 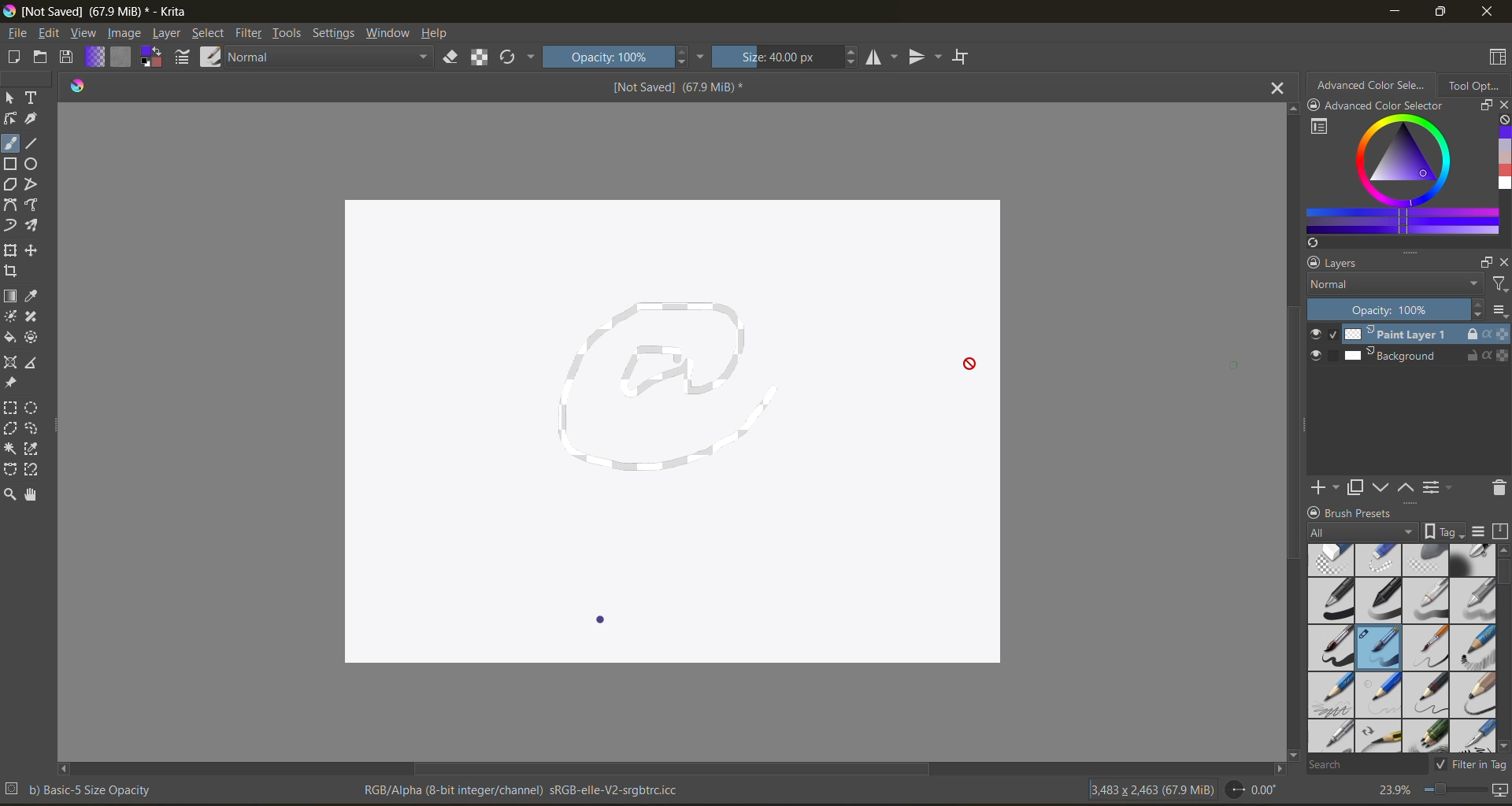 What do you see at coordinates (776, 57) in the screenshot?
I see `size` at bounding box center [776, 57].